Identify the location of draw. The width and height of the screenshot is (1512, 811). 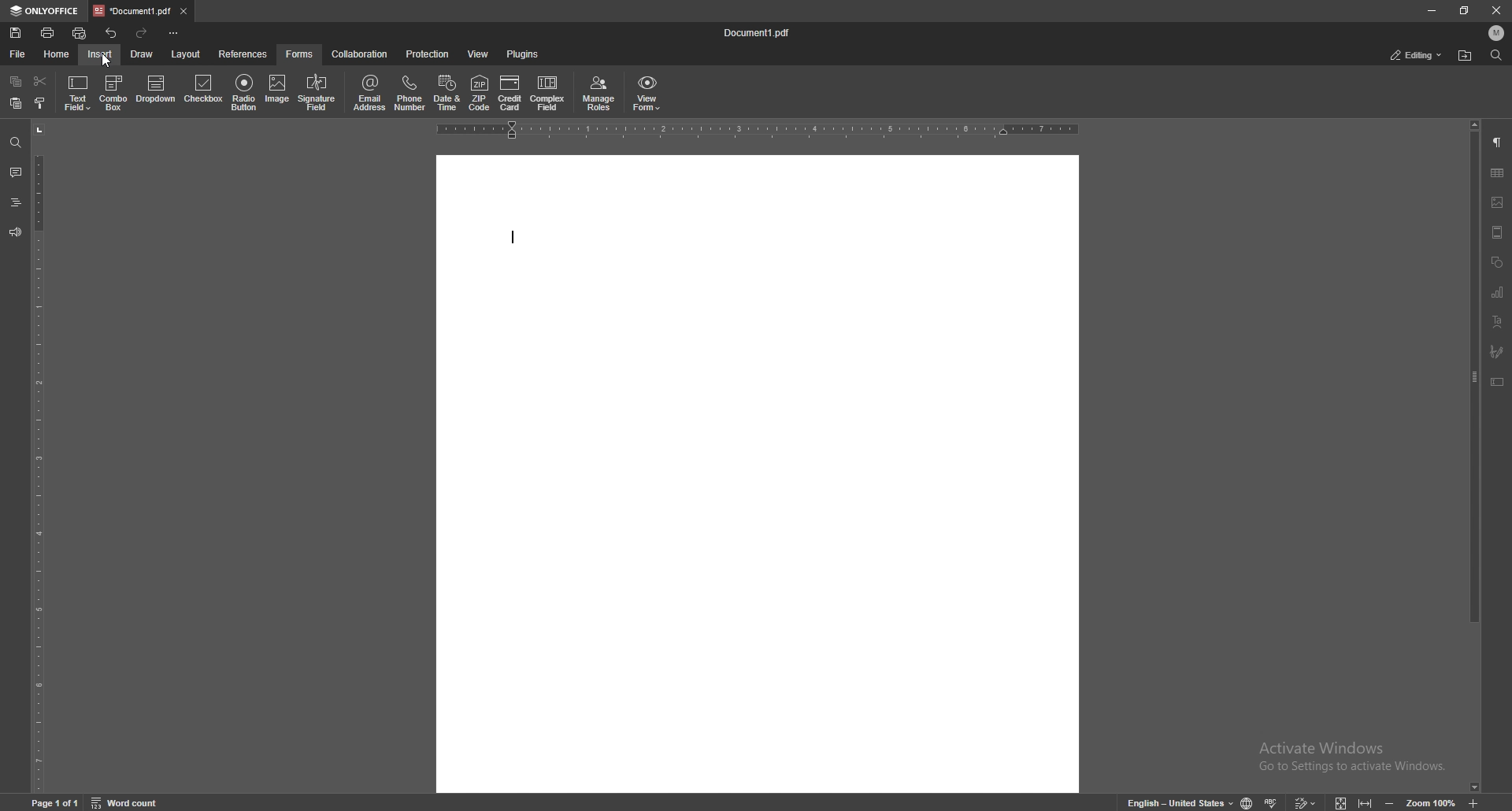
(143, 54).